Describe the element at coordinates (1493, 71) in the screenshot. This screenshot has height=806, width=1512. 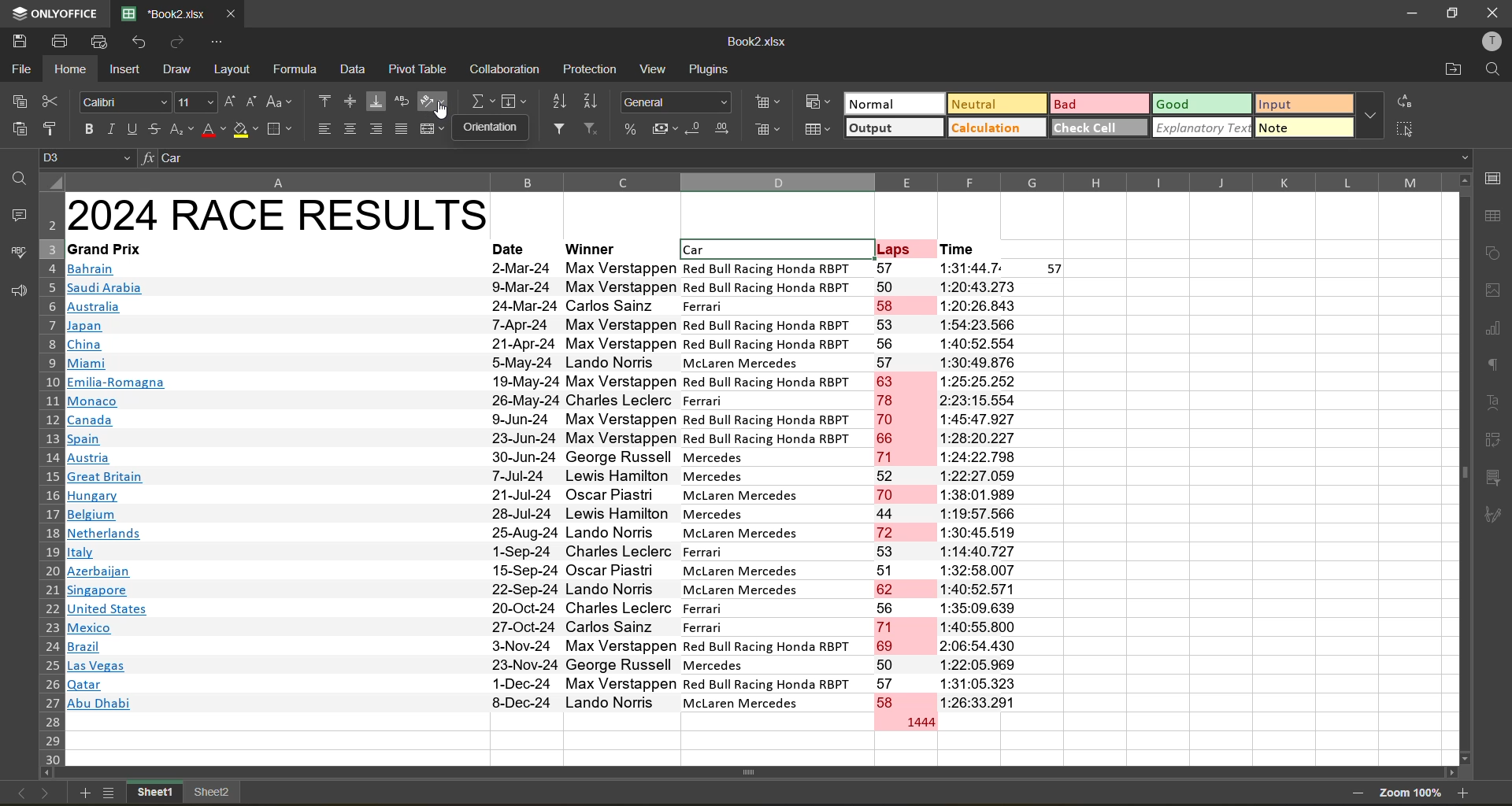
I see `find` at that location.